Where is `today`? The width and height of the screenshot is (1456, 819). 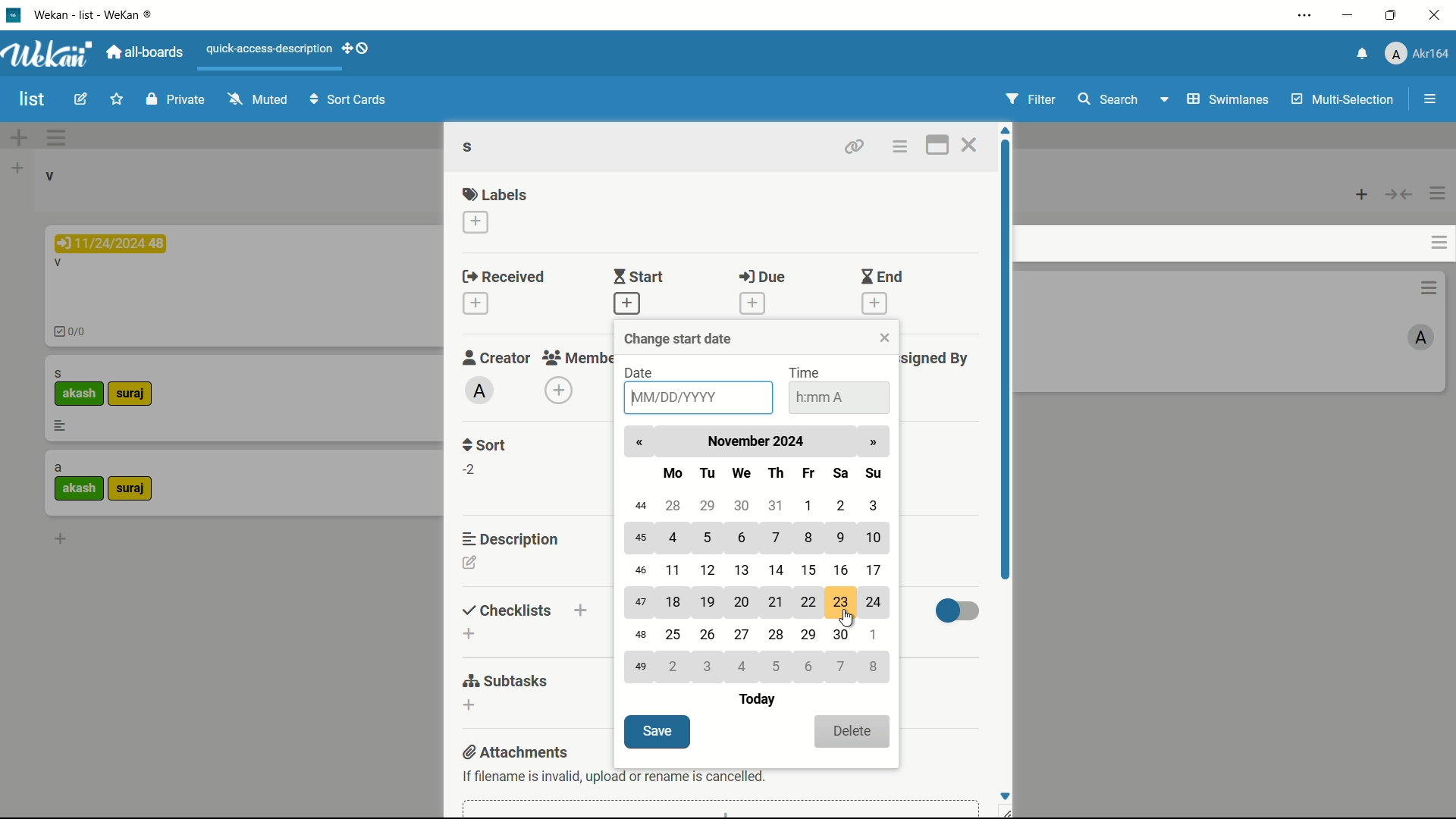
today is located at coordinates (755, 701).